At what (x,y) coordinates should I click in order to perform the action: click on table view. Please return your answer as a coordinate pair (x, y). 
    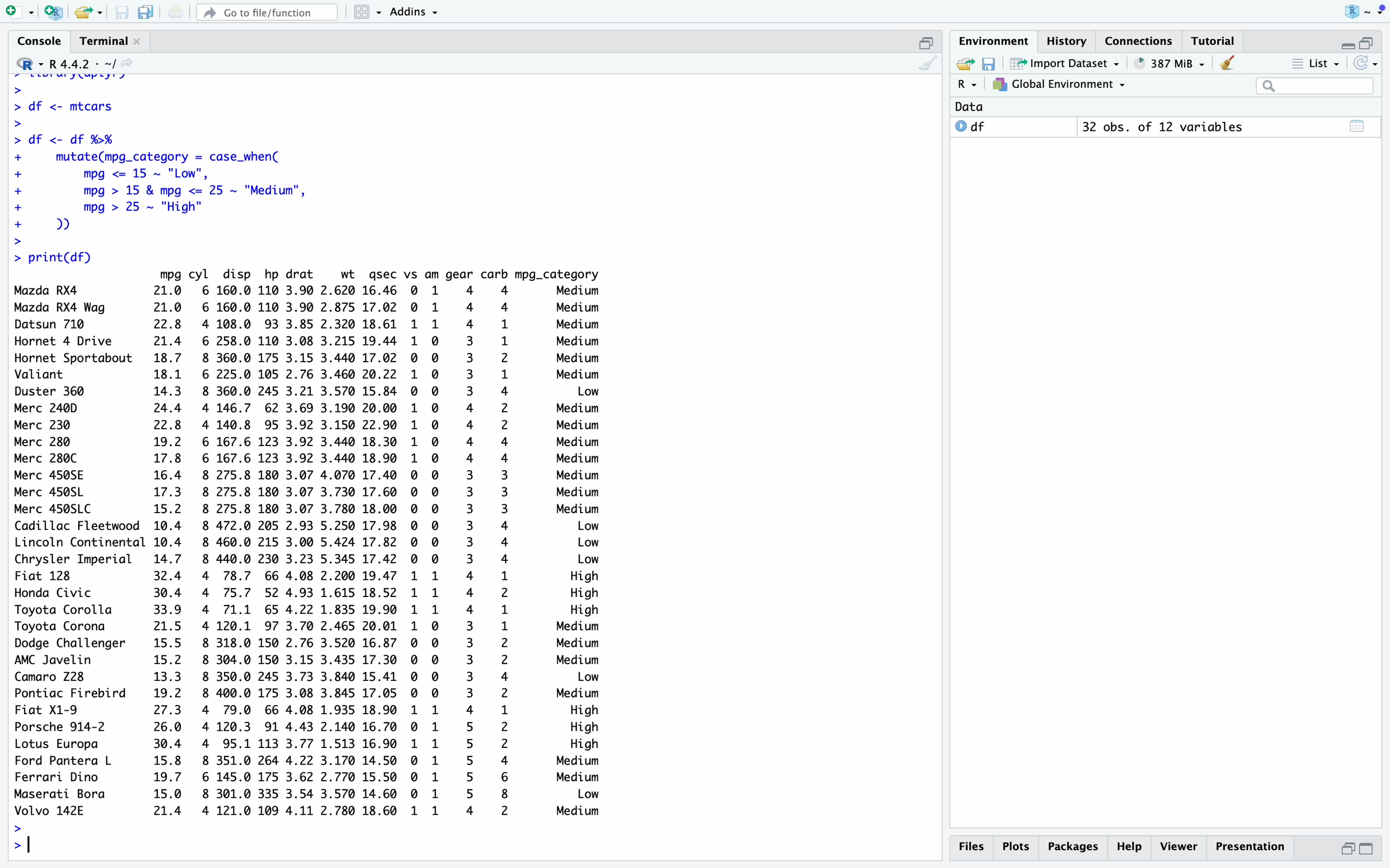
    Looking at the image, I should click on (1357, 126).